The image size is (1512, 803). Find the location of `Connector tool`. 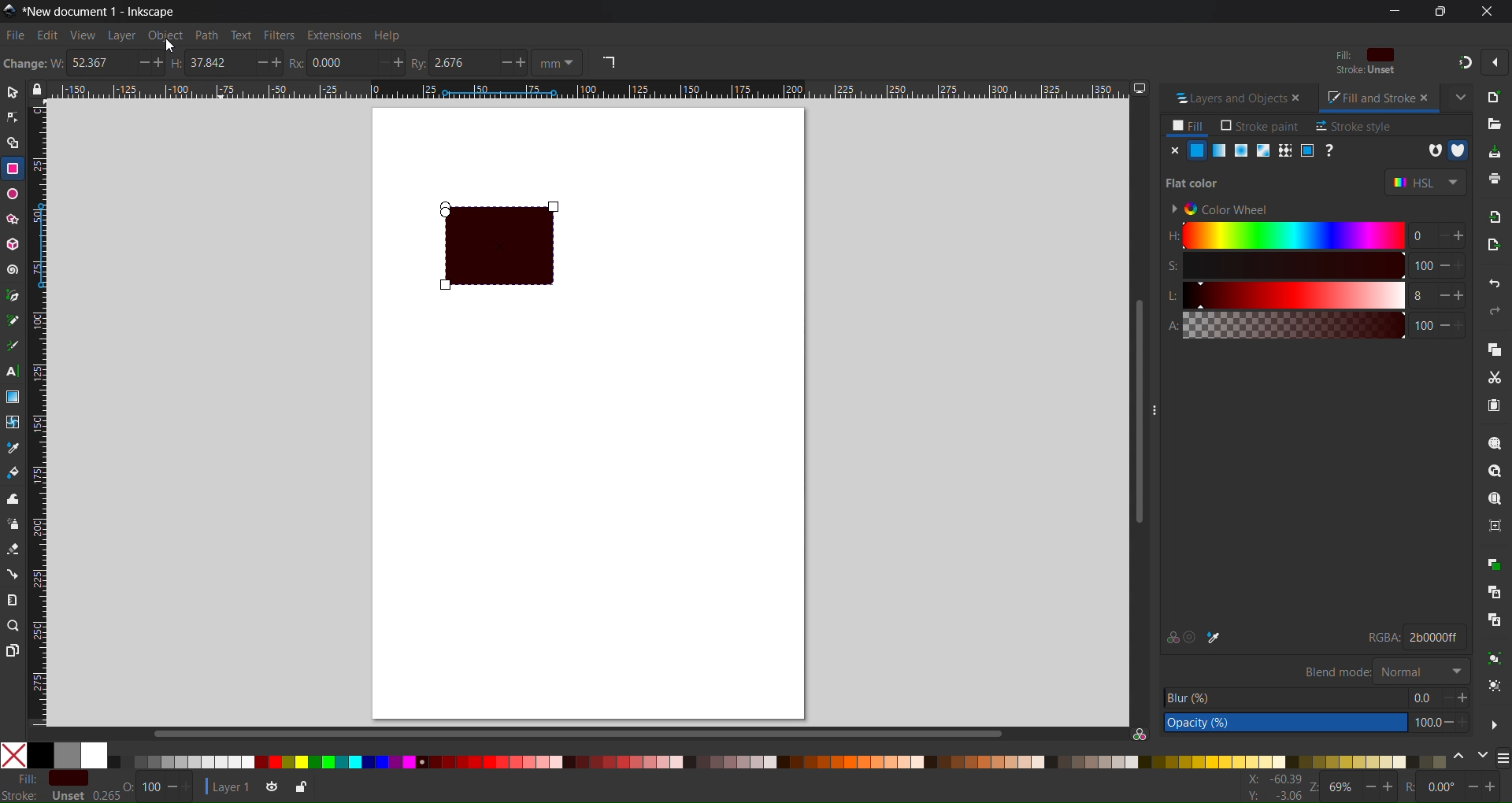

Connector tool is located at coordinates (13, 573).